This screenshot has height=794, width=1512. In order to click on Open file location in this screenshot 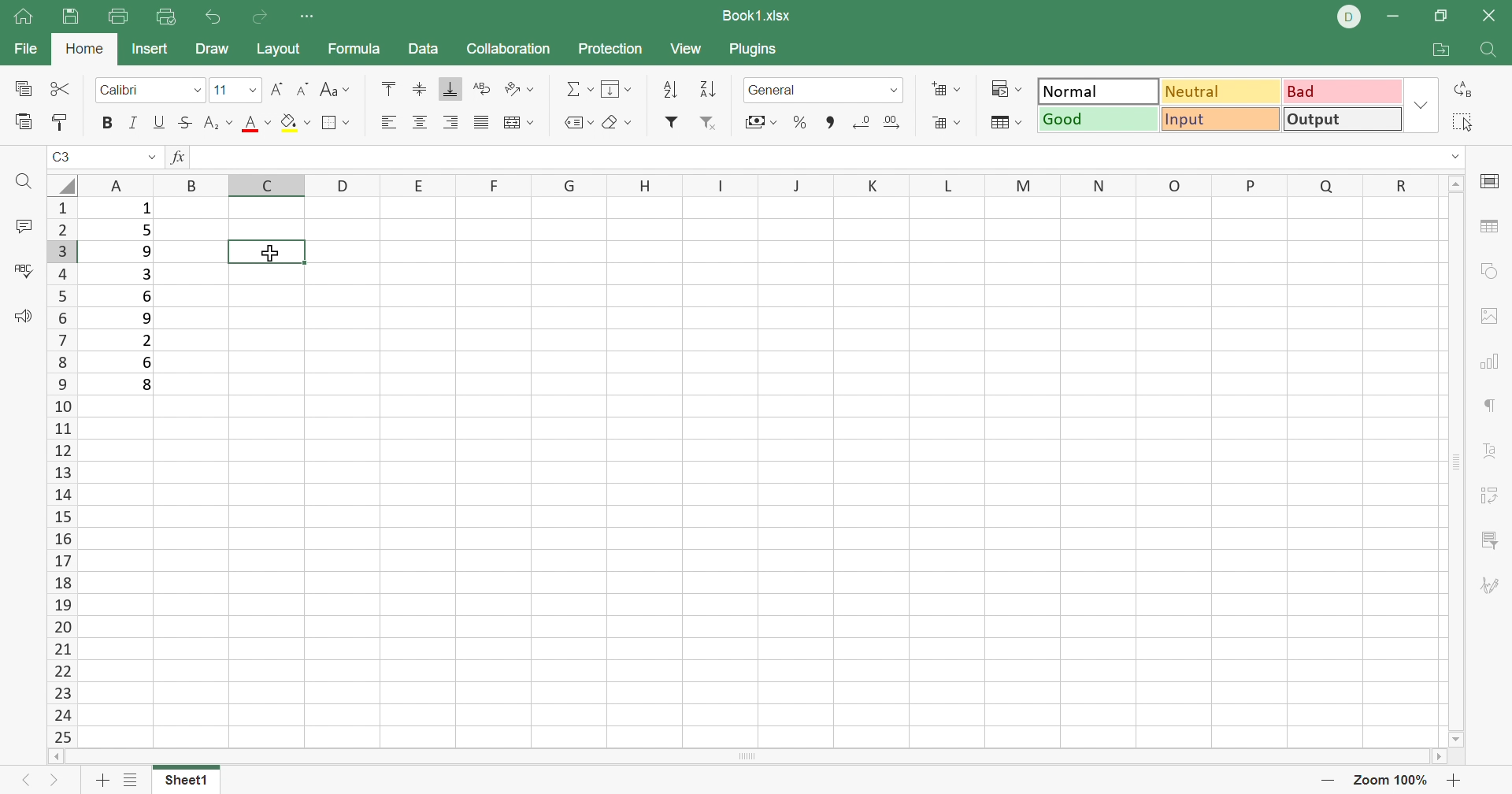, I will do `click(1444, 50)`.